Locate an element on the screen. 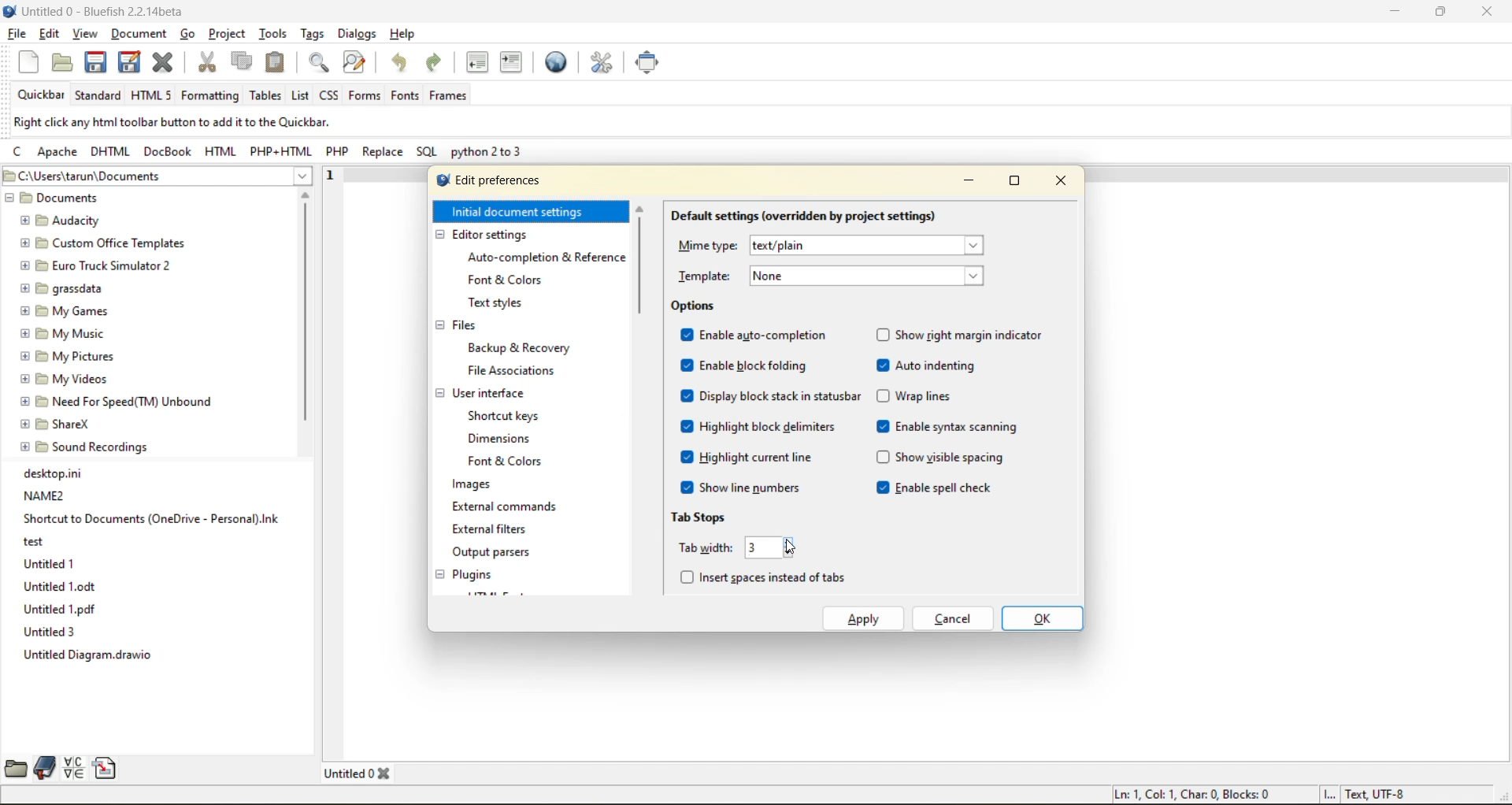 The width and height of the screenshot is (1512, 805). show visible spacing is located at coordinates (941, 460).